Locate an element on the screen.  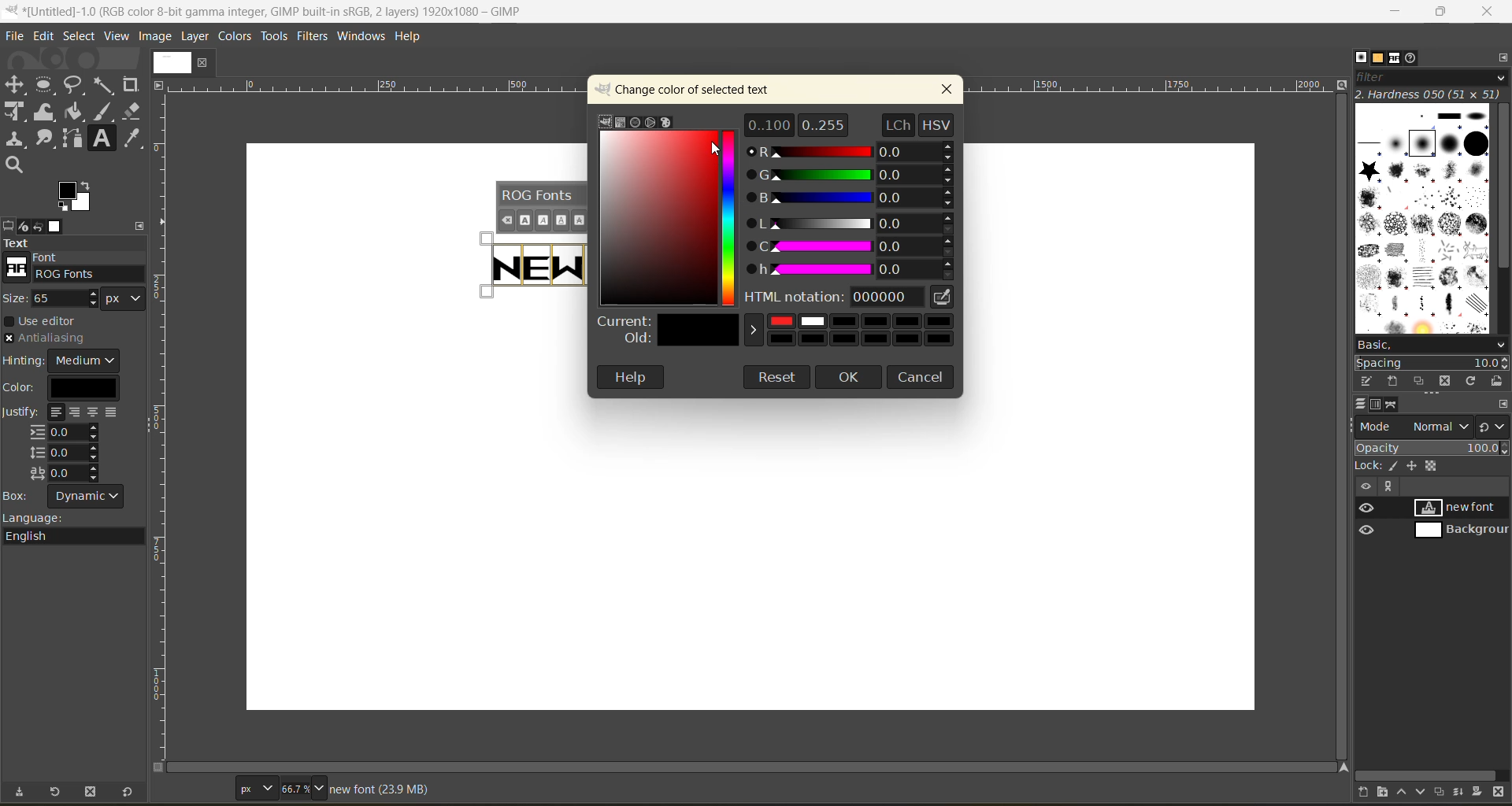
color scales is located at coordinates (847, 198).